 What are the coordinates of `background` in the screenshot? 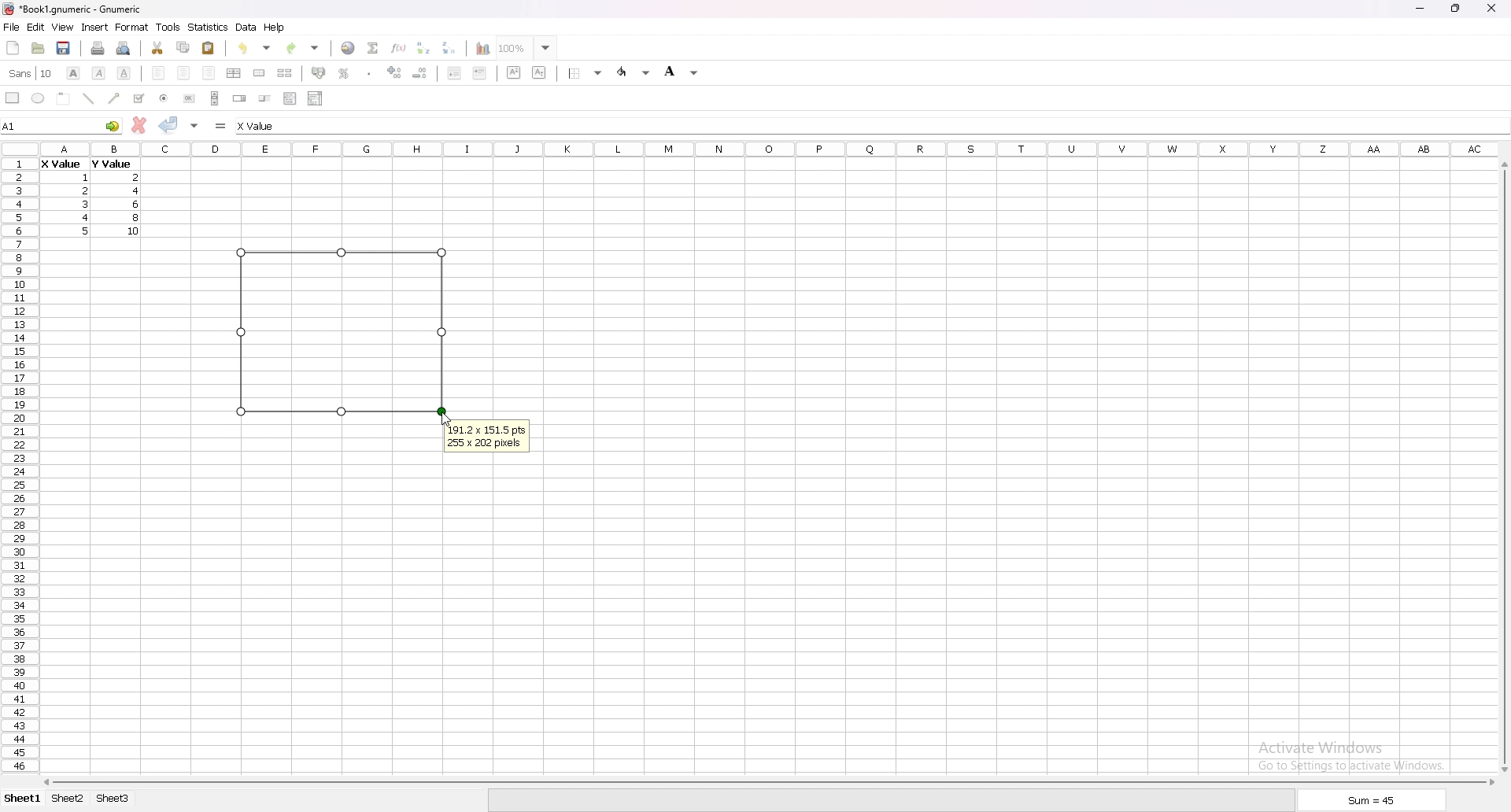 It's located at (682, 71).